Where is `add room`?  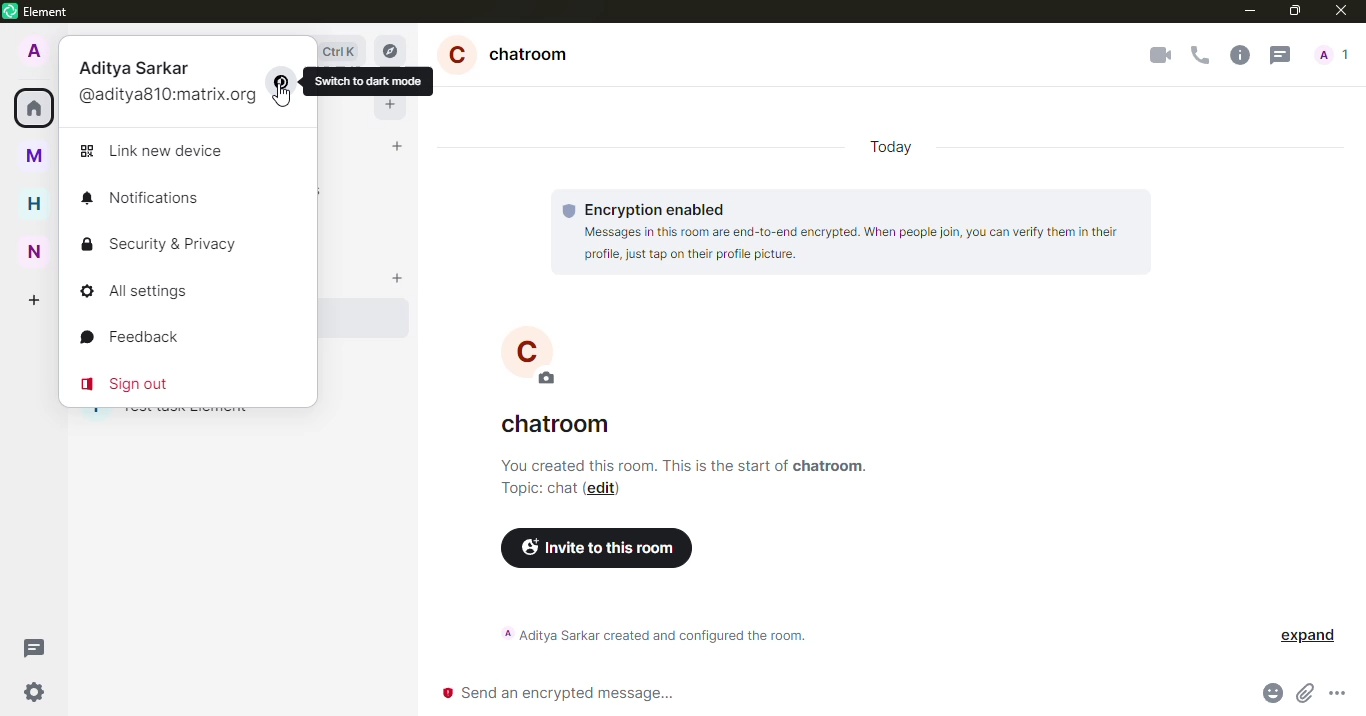
add room is located at coordinates (396, 276).